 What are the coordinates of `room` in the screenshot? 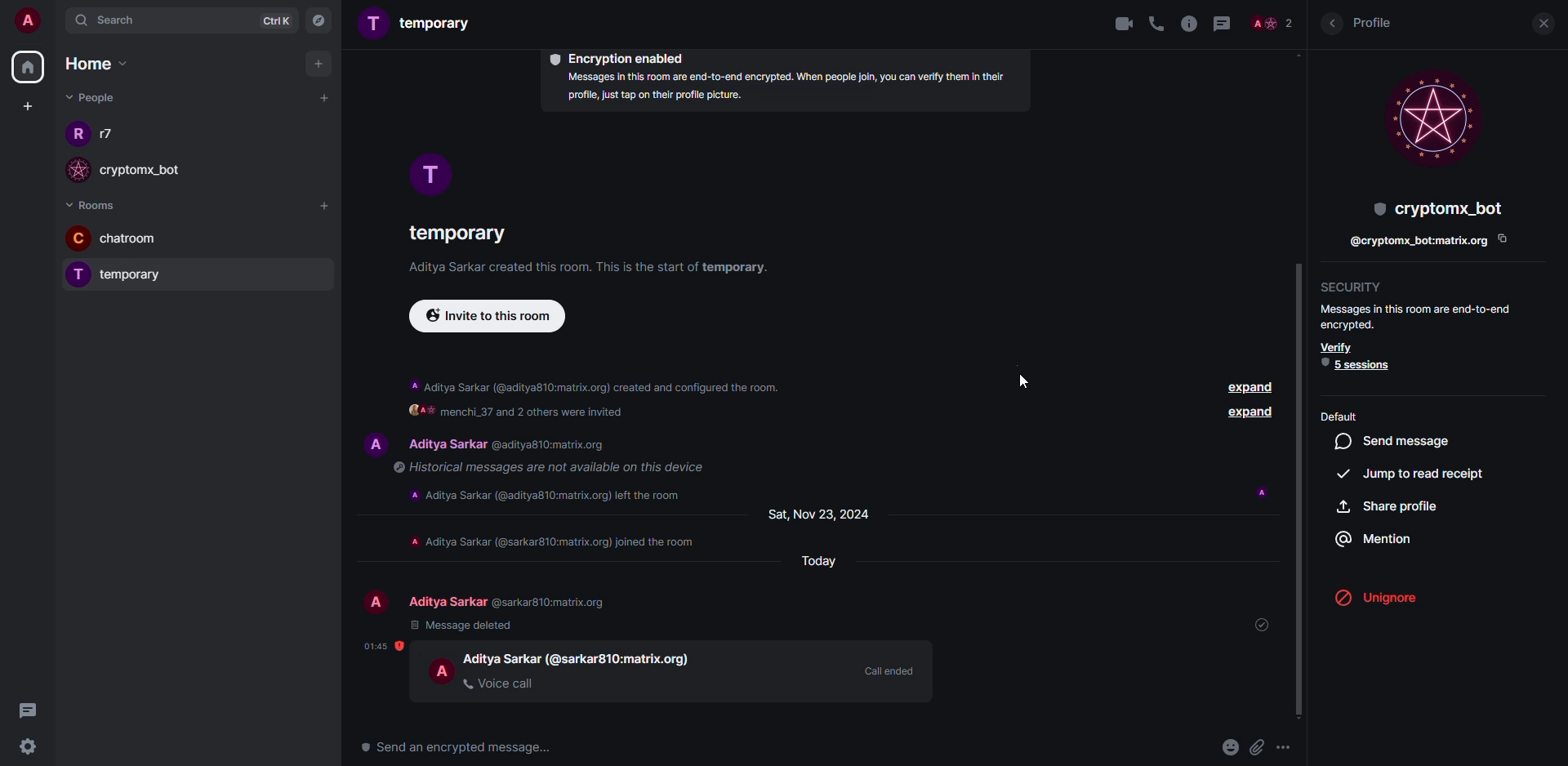 It's located at (455, 230).